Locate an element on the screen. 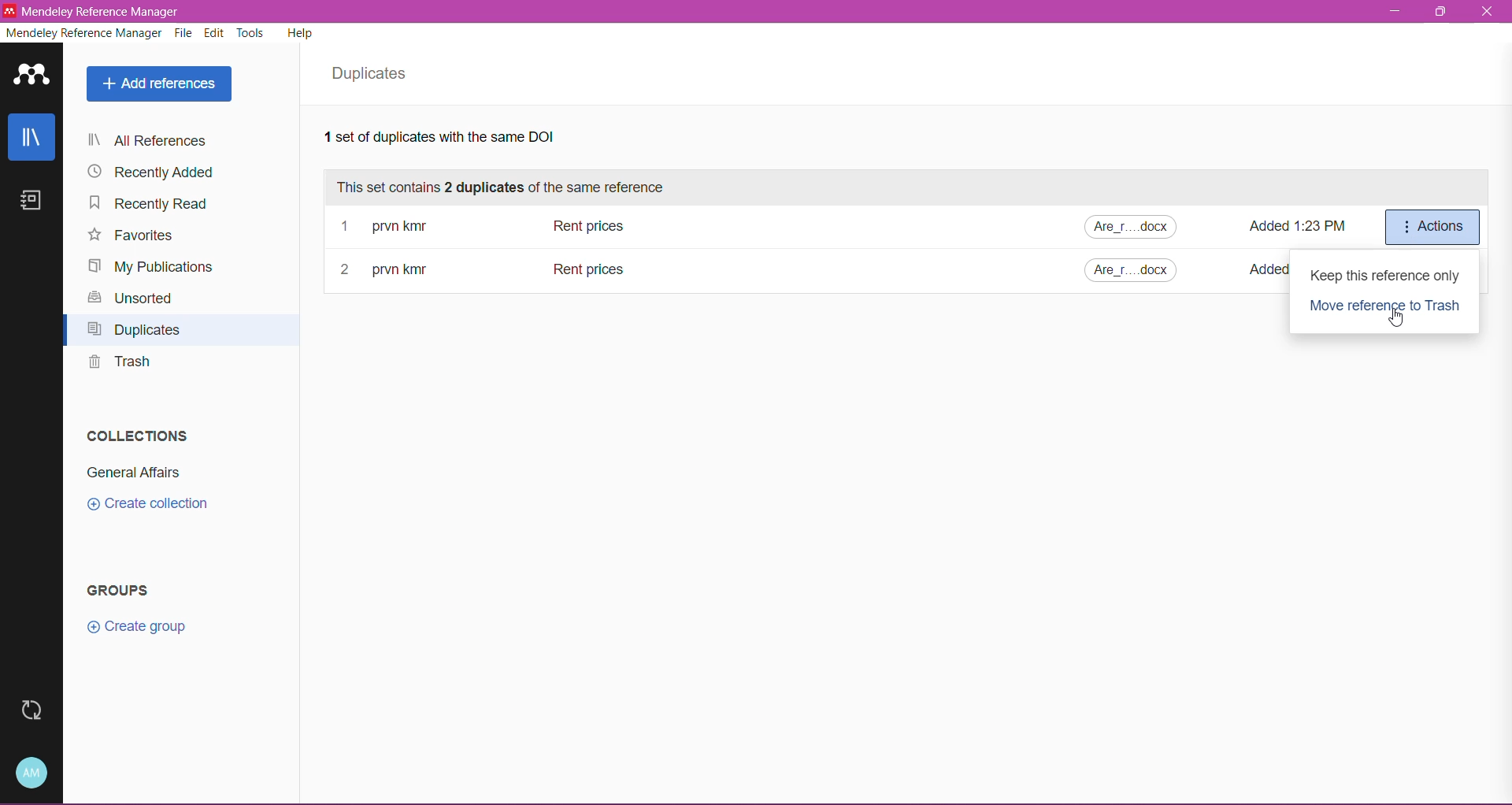 This screenshot has height=805, width=1512. 1 set of Duplicates with the same DOI is located at coordinates (466, 139).